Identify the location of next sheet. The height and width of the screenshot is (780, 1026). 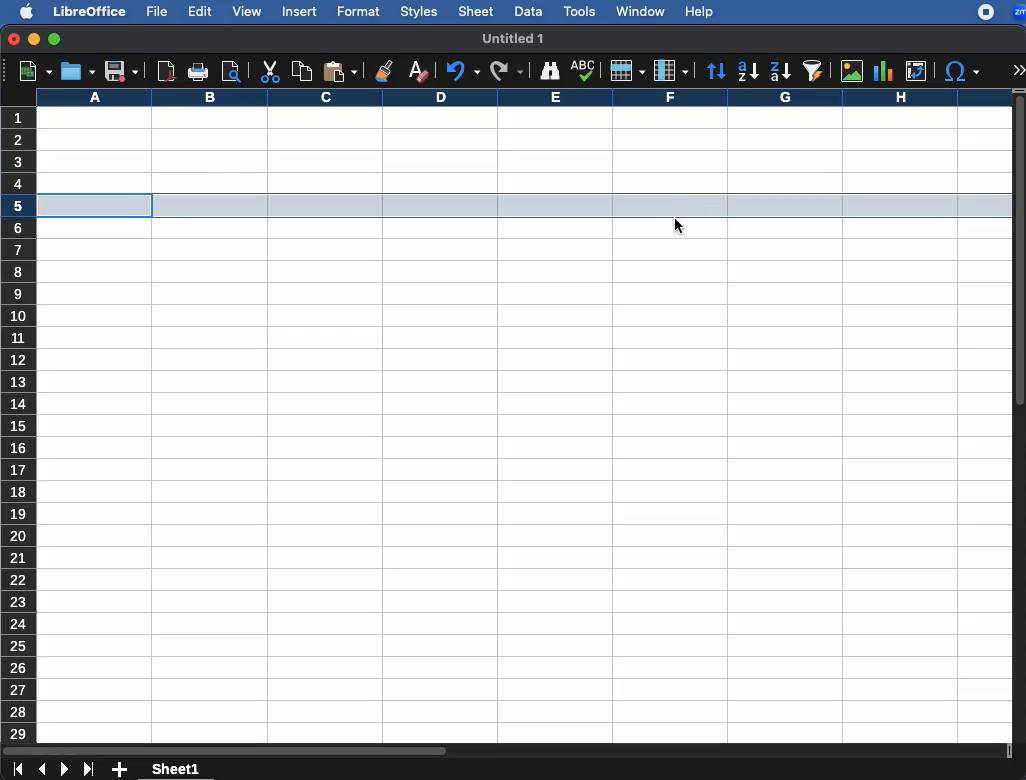
(62, 770).